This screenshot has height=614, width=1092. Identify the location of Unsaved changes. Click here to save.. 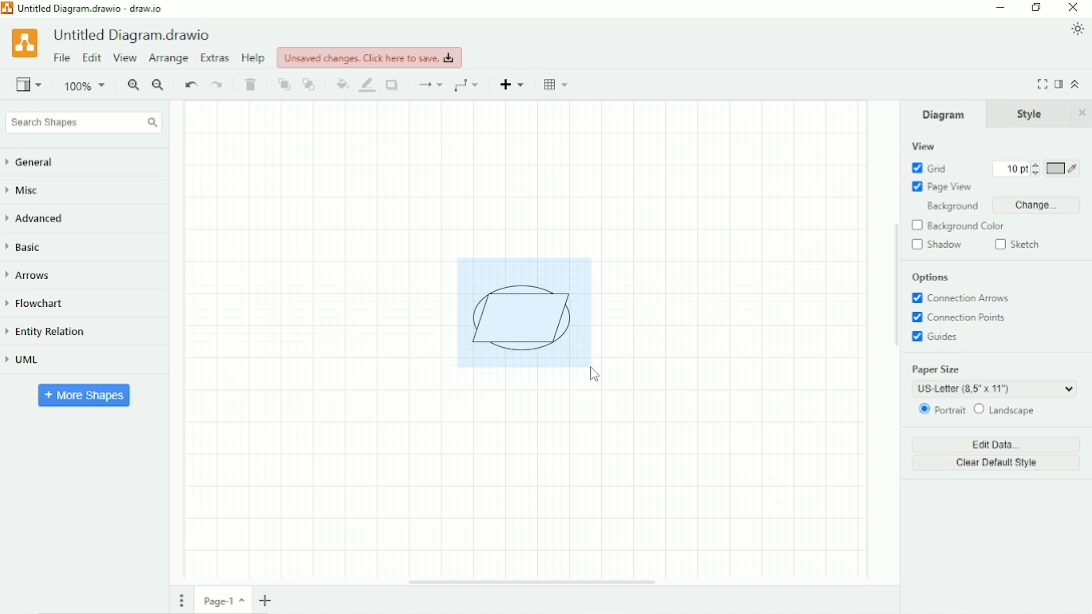
(370, 57).